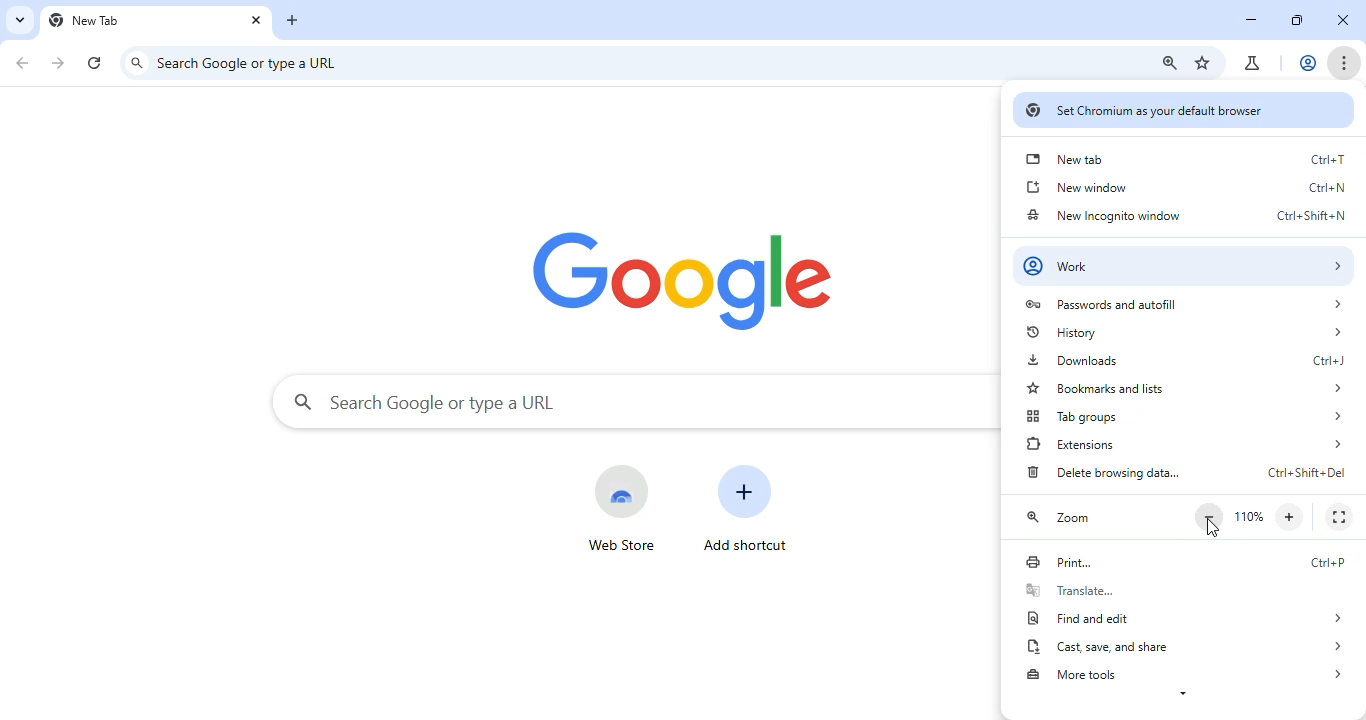 The image size is (1366, 720). What do you see at coordinates (620, 506) in the screenshot?
I see `web store` at bounding box center [620, 506].